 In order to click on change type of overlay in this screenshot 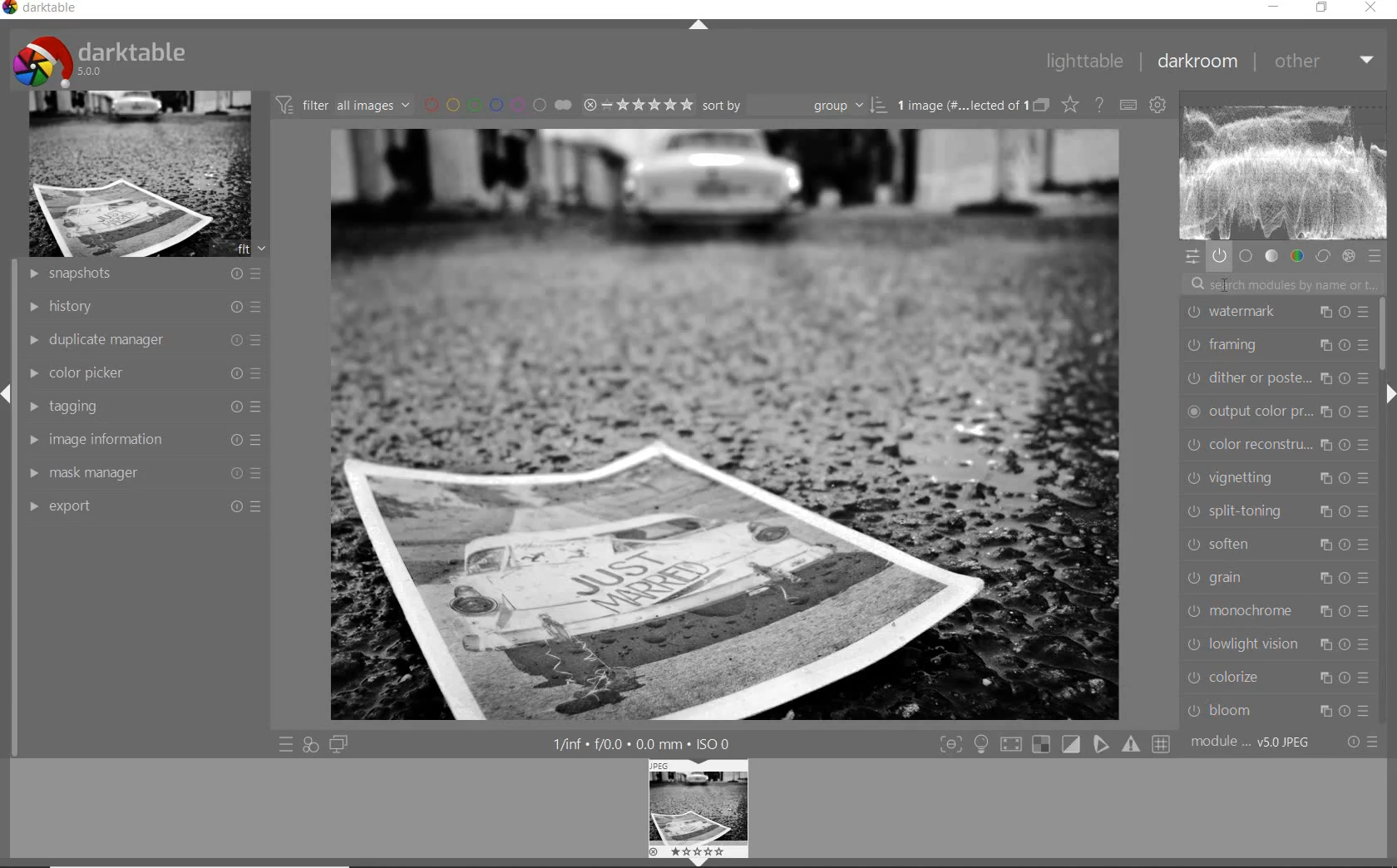, I will do `click(1069, 106)`.